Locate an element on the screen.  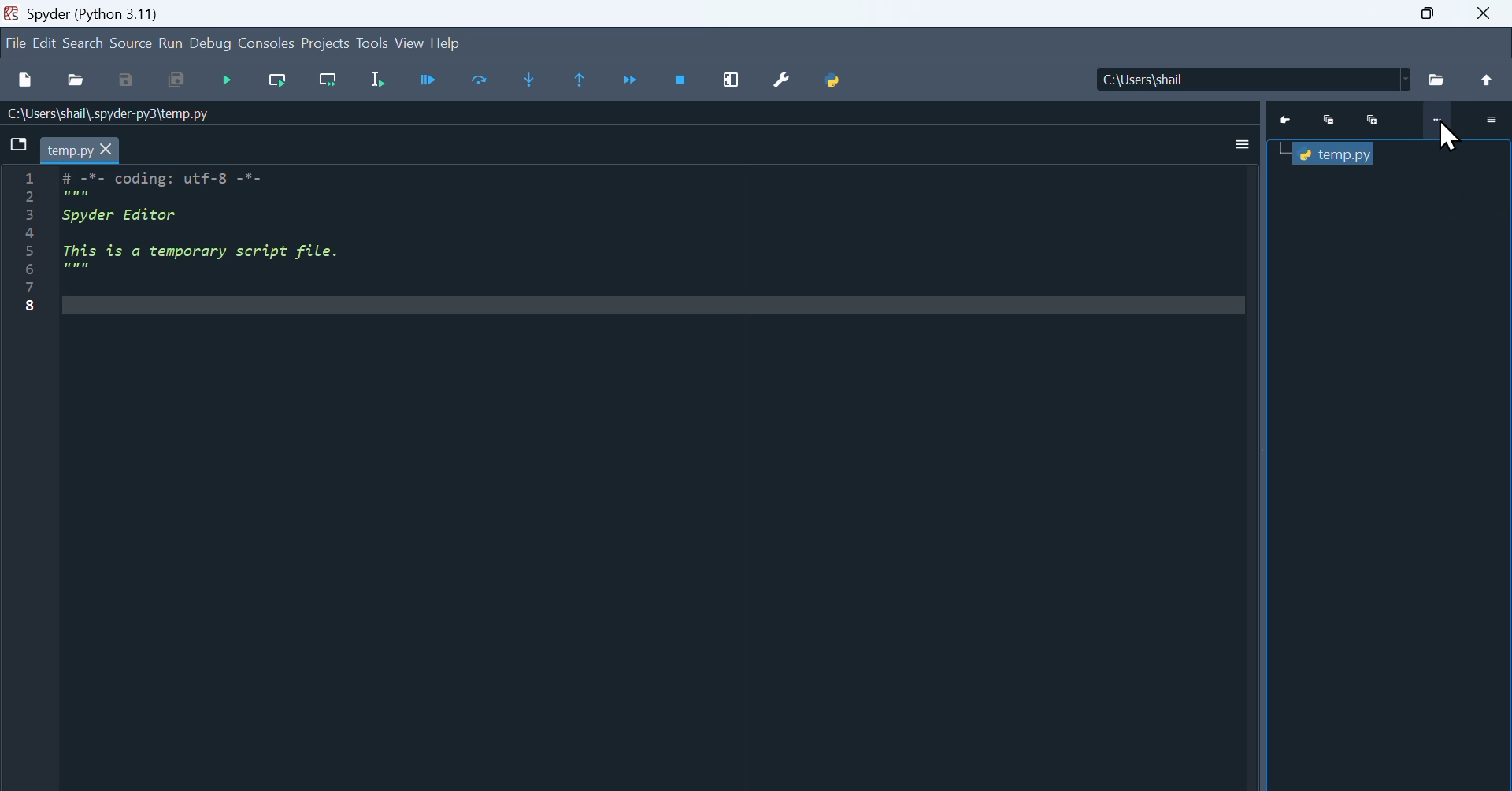
More options is located at coordinates (1488, 119).